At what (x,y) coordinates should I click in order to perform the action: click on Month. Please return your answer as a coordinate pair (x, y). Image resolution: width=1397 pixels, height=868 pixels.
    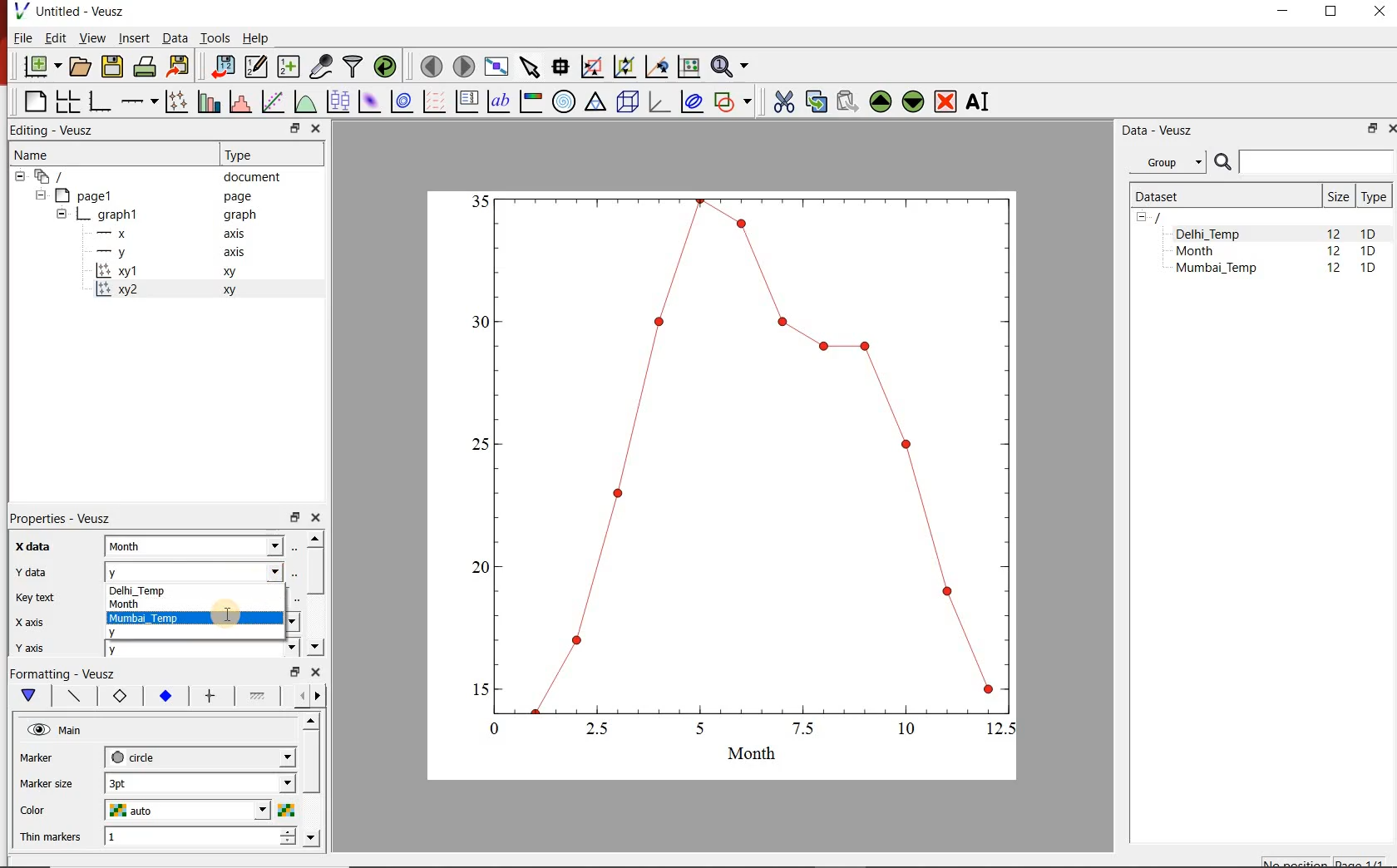
    Looking at the image, I should click on (1207, 251).